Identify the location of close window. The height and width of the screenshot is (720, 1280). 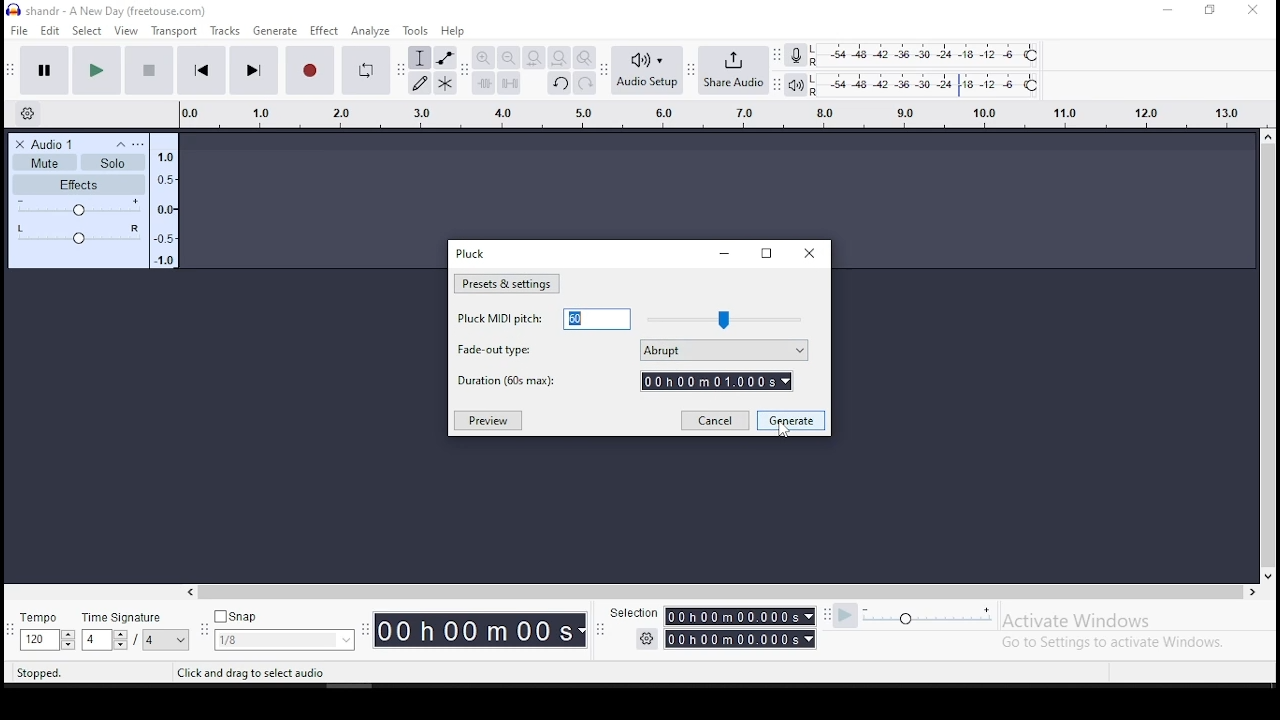
(1252, 11).